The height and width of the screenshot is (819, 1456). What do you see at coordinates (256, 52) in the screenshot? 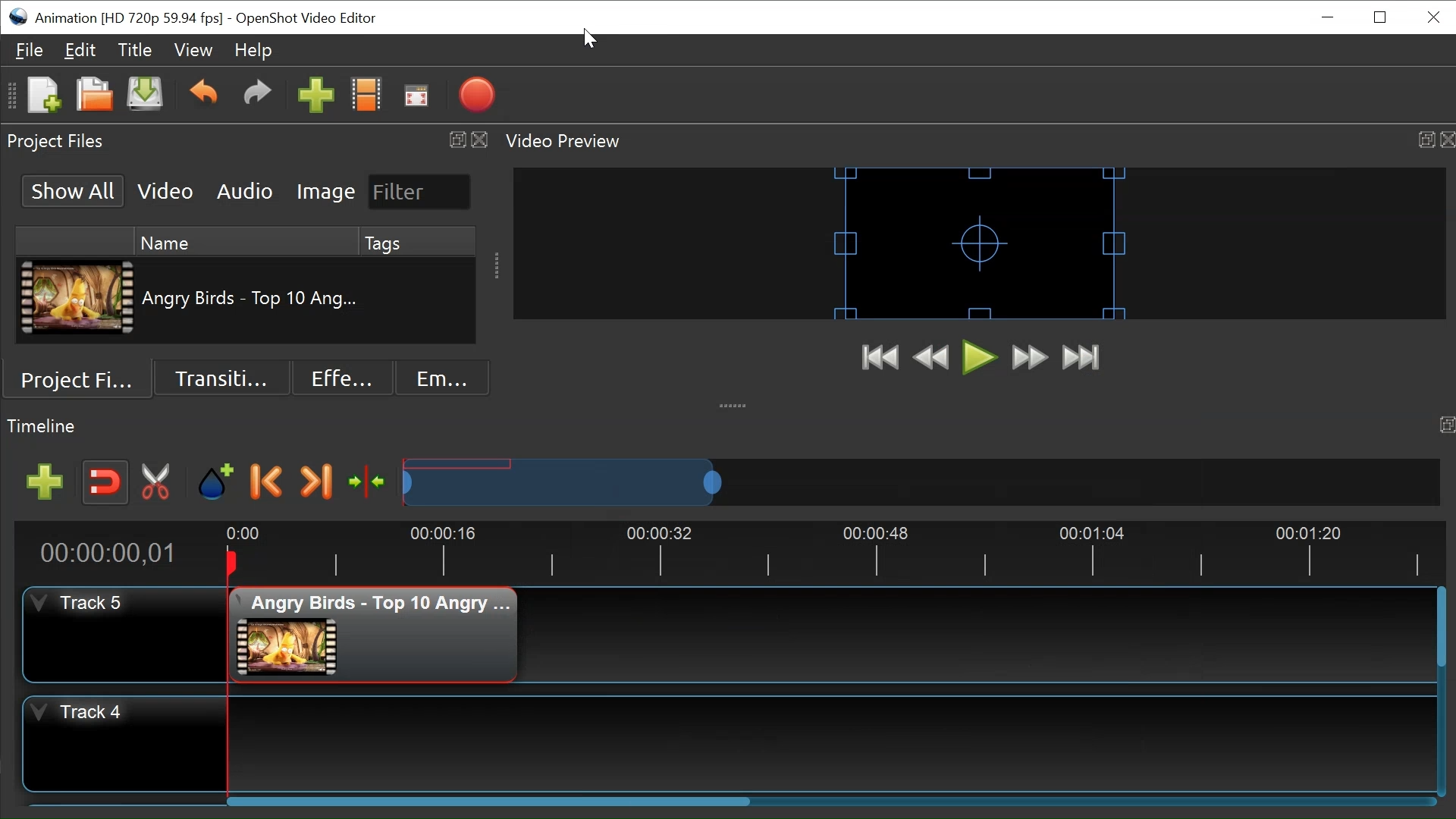
I see `Help` at bounding box center [256, 52].